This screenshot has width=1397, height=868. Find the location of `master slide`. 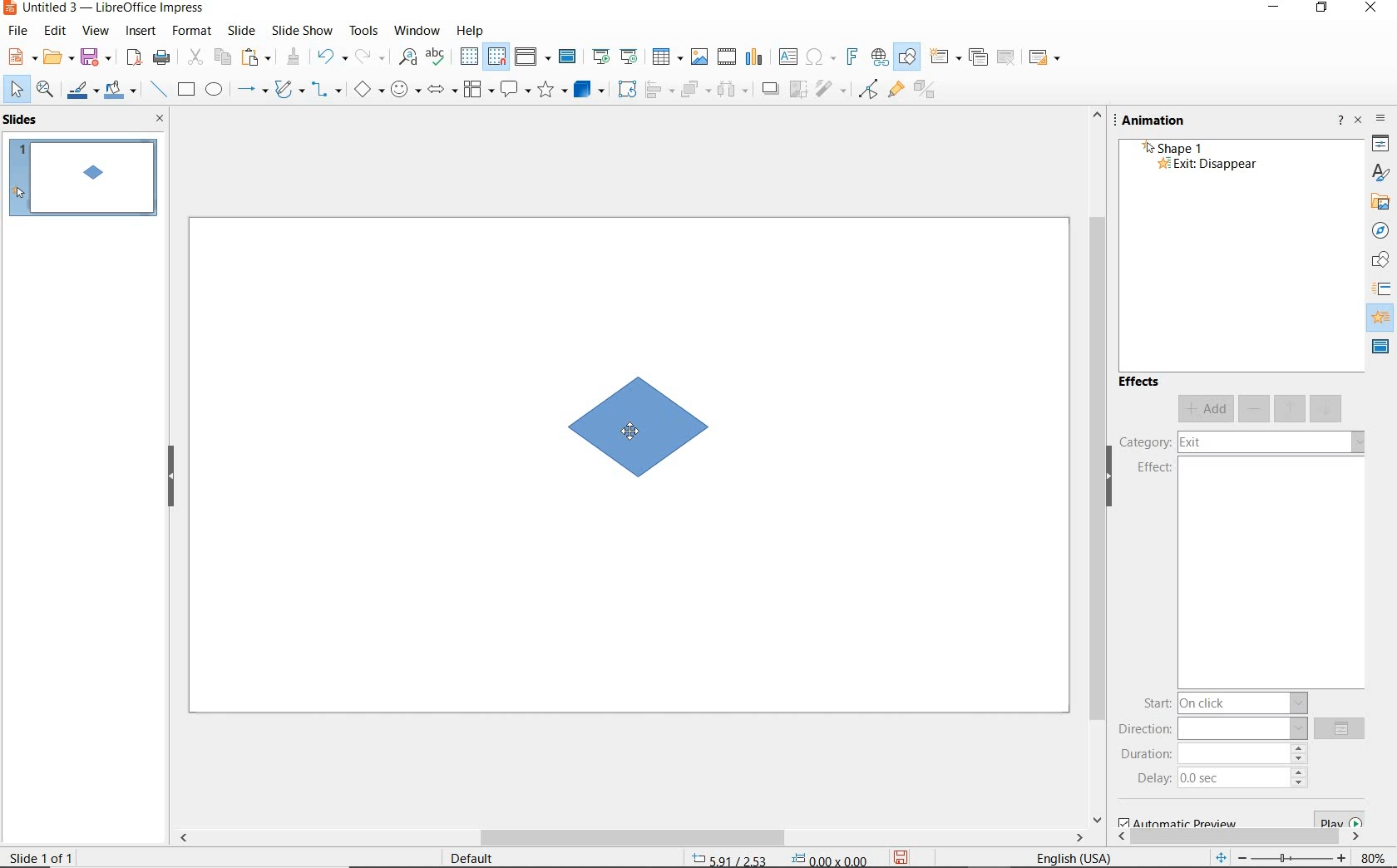

master slide is located at coordinates (1380, 348).